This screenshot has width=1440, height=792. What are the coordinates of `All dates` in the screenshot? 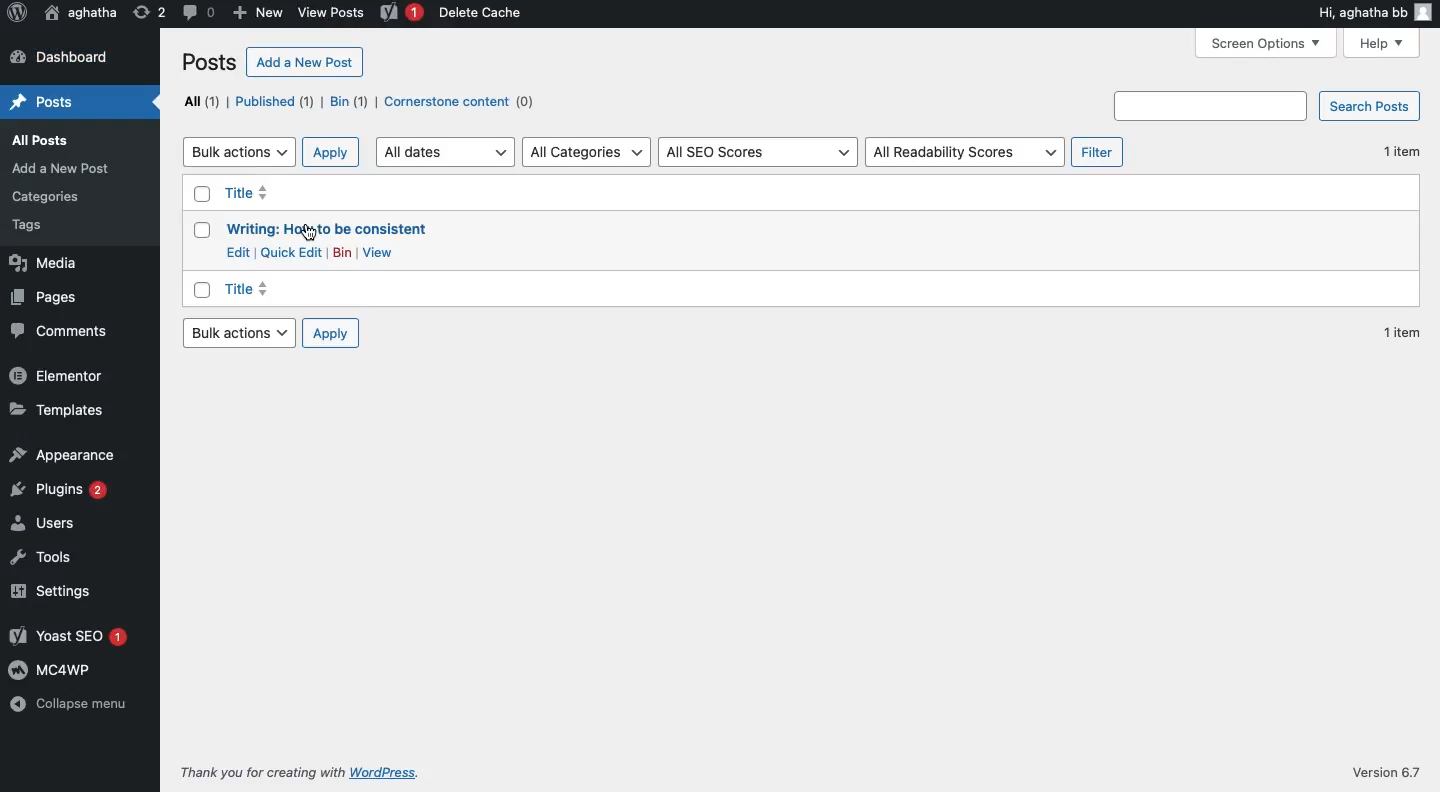 It's located at (443, 152).